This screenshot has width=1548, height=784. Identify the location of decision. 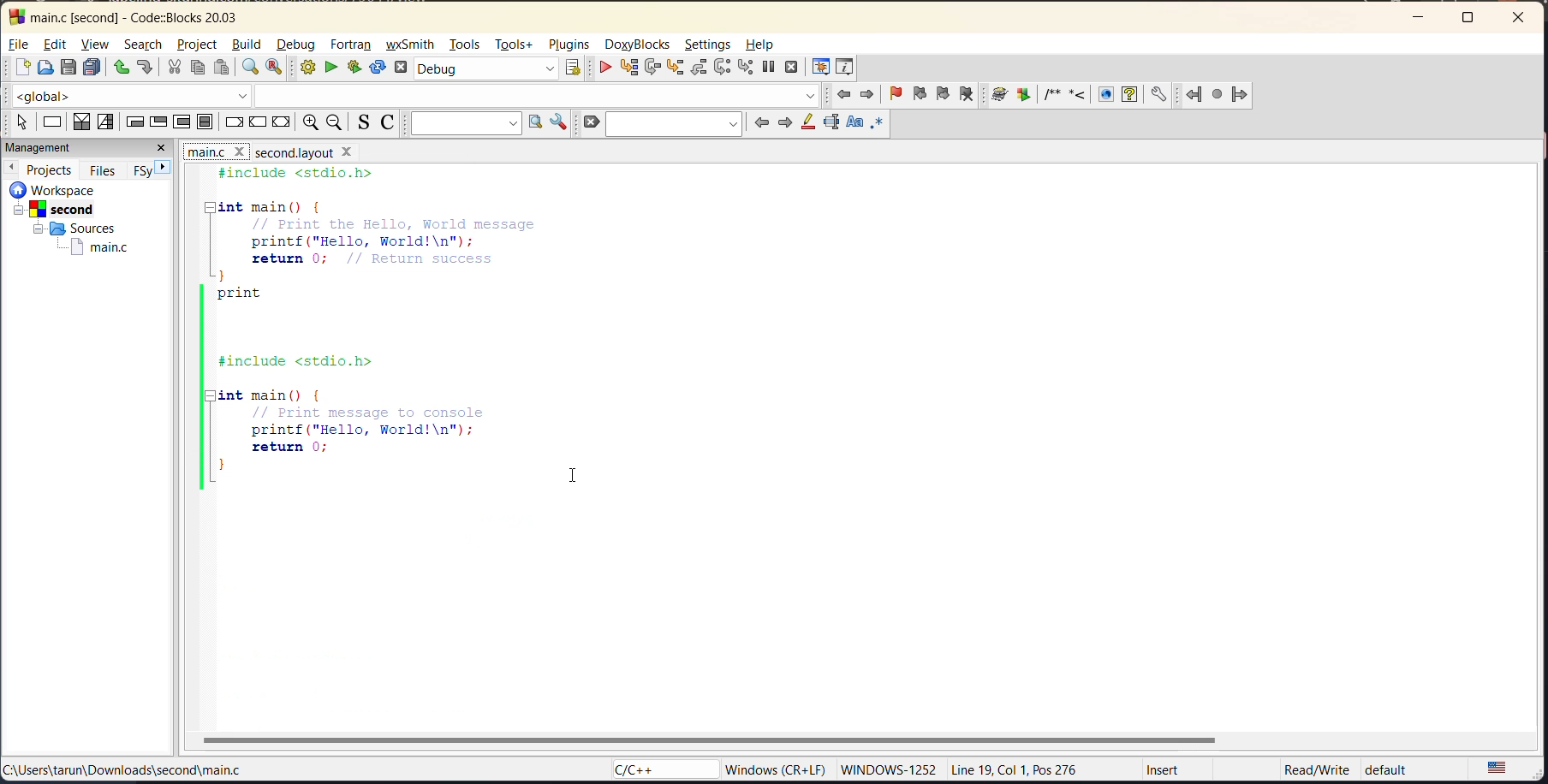
(80, 122).